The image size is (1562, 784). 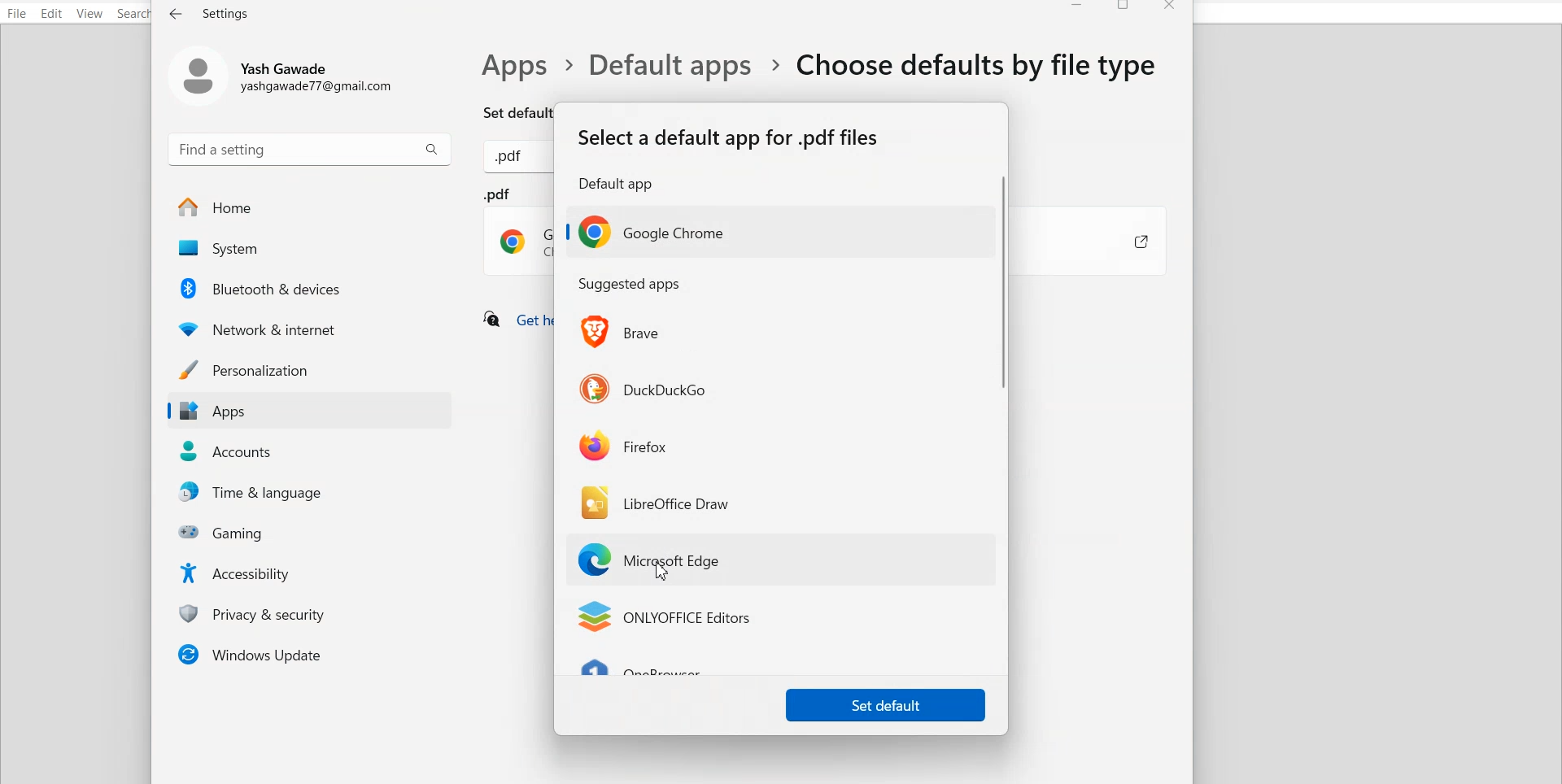 What do you see at coordinates (308, 369) in the screenshot?
I see `Personalization` at bounding box center [308, 369].